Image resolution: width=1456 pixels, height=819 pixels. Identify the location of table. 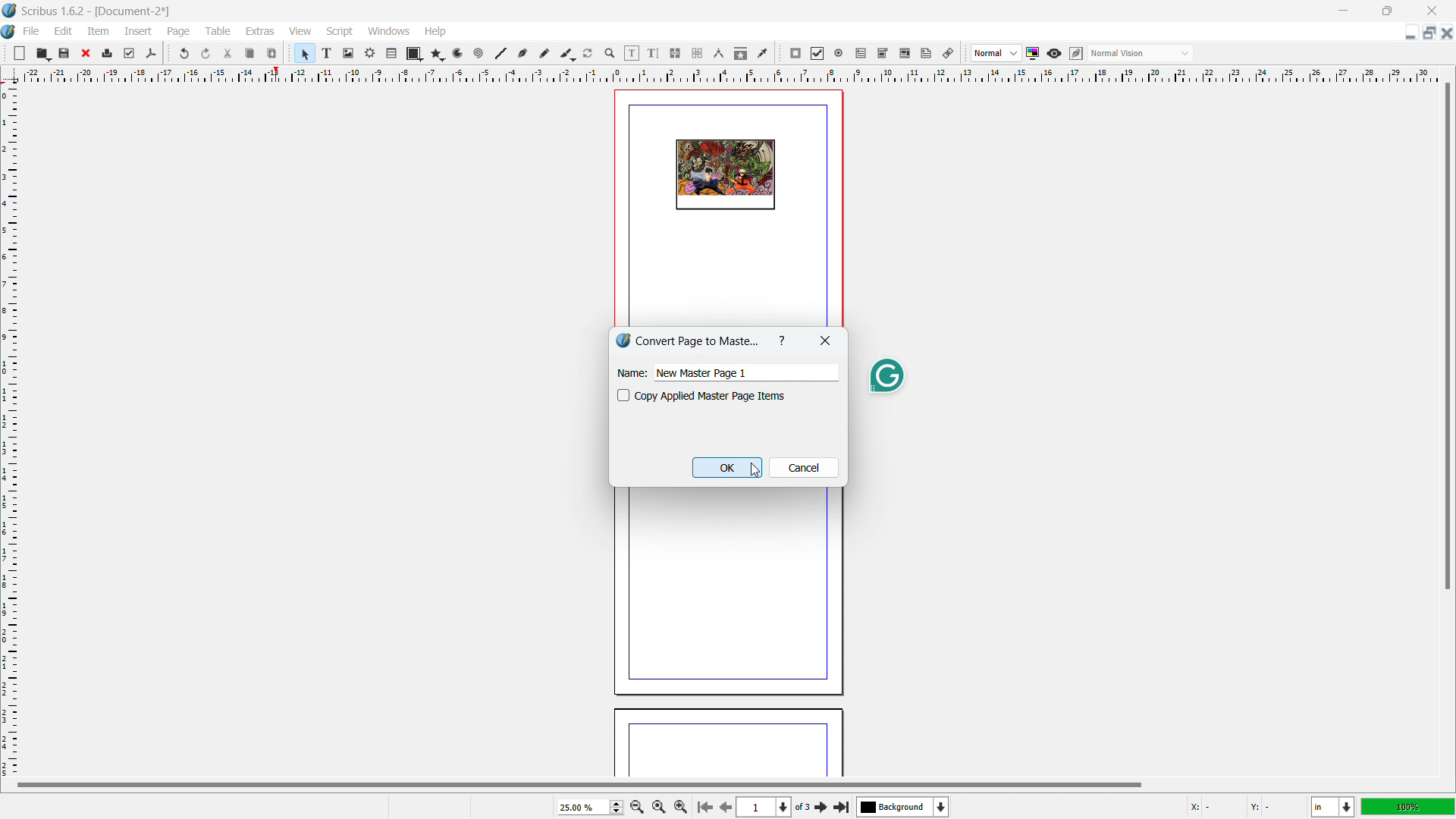
(218, 31).